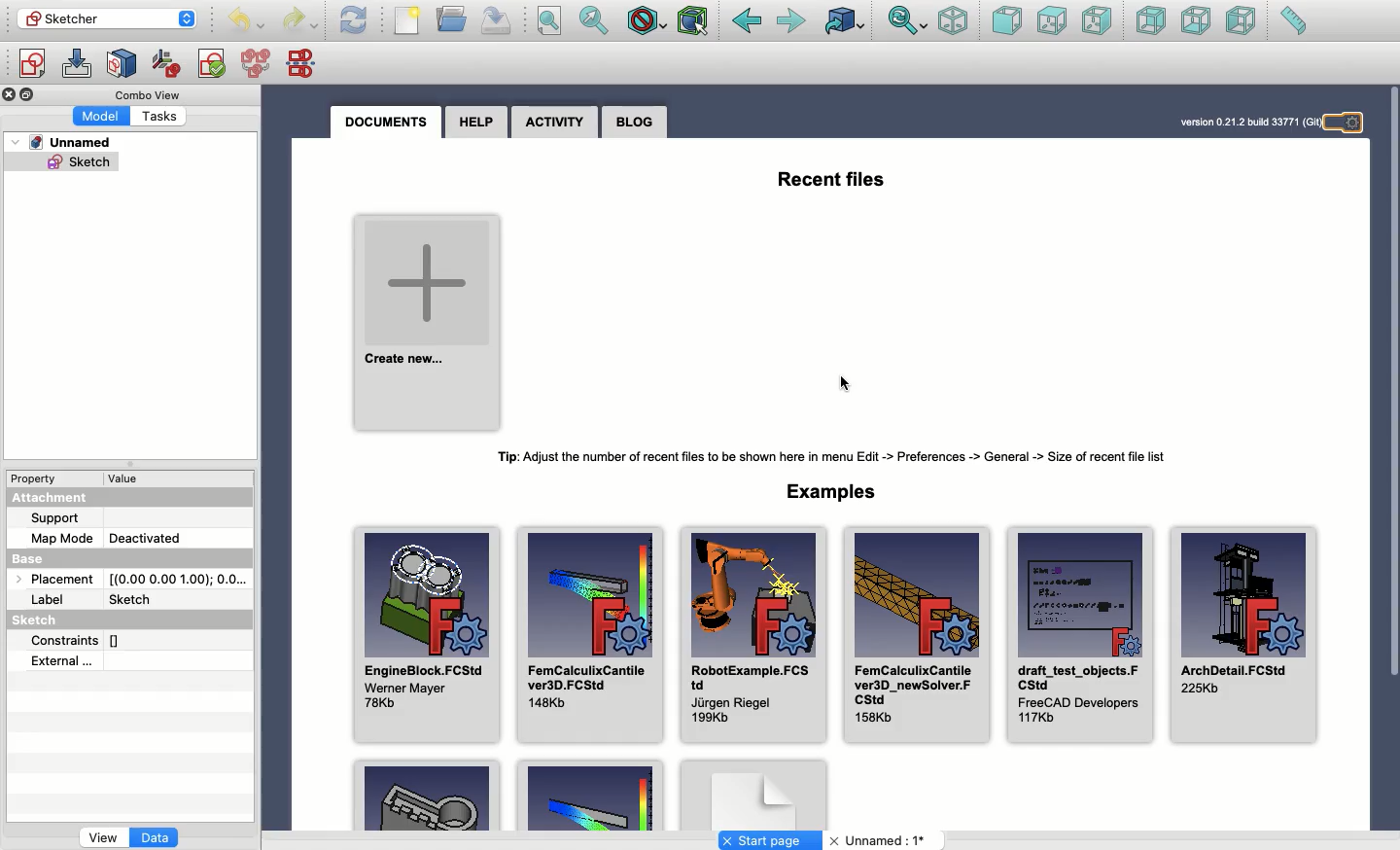 Image resolution: width=1400 pixels, height=850 pixels. Describe the element at coordinates (453, 18) in the screenshot. I see `Open` at that location.